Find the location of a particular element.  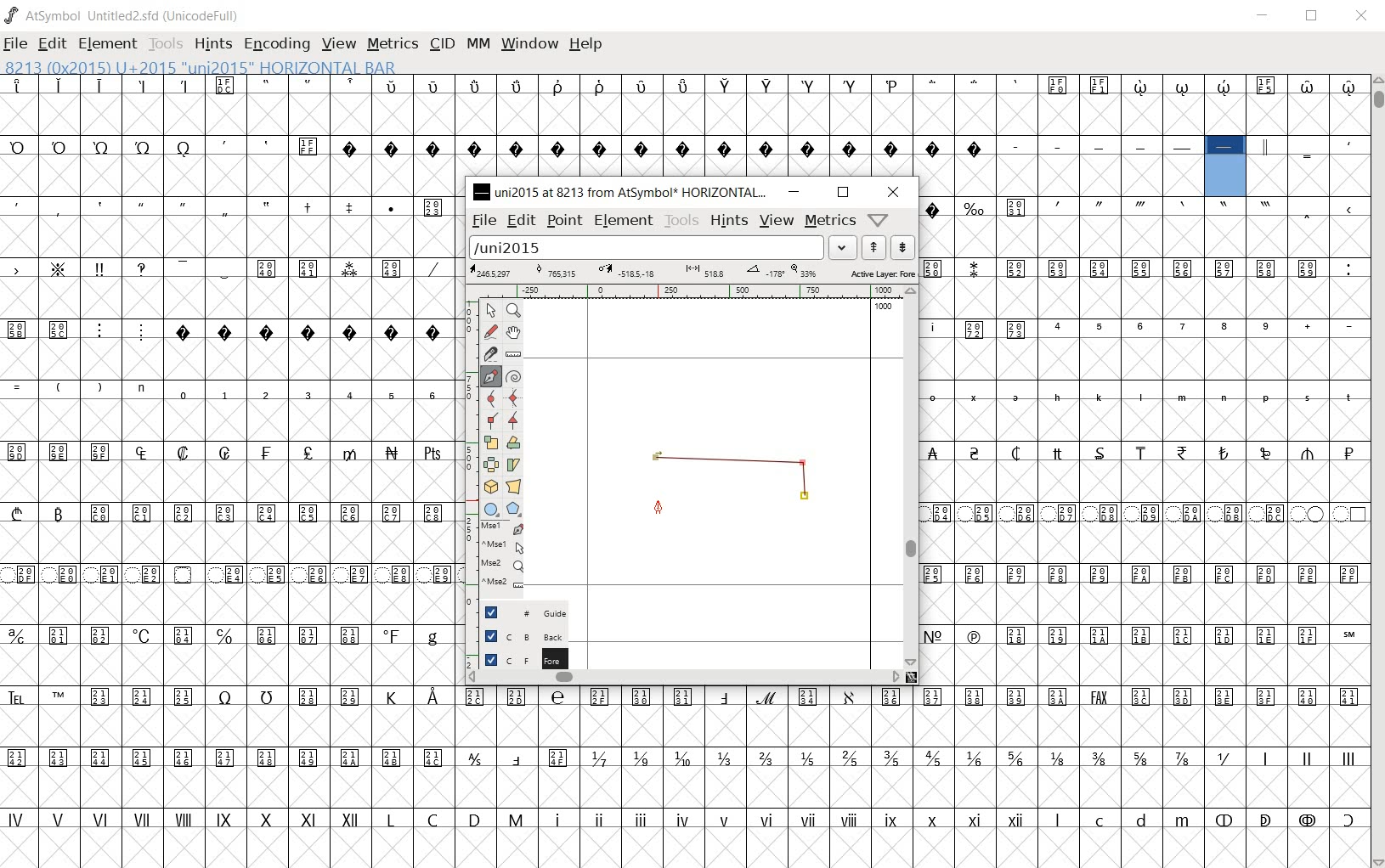

ENCODING is located at coordinates (277, 44).